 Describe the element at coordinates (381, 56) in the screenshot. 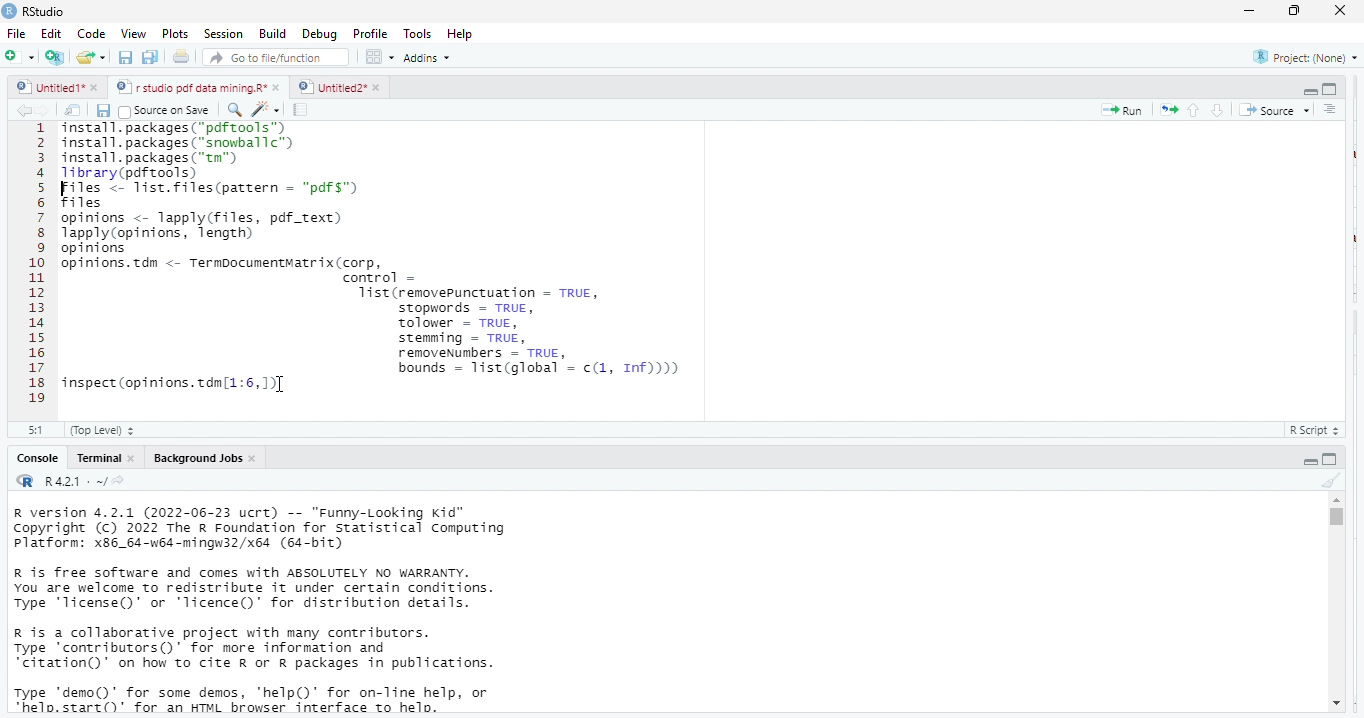

I see `options` at that location.